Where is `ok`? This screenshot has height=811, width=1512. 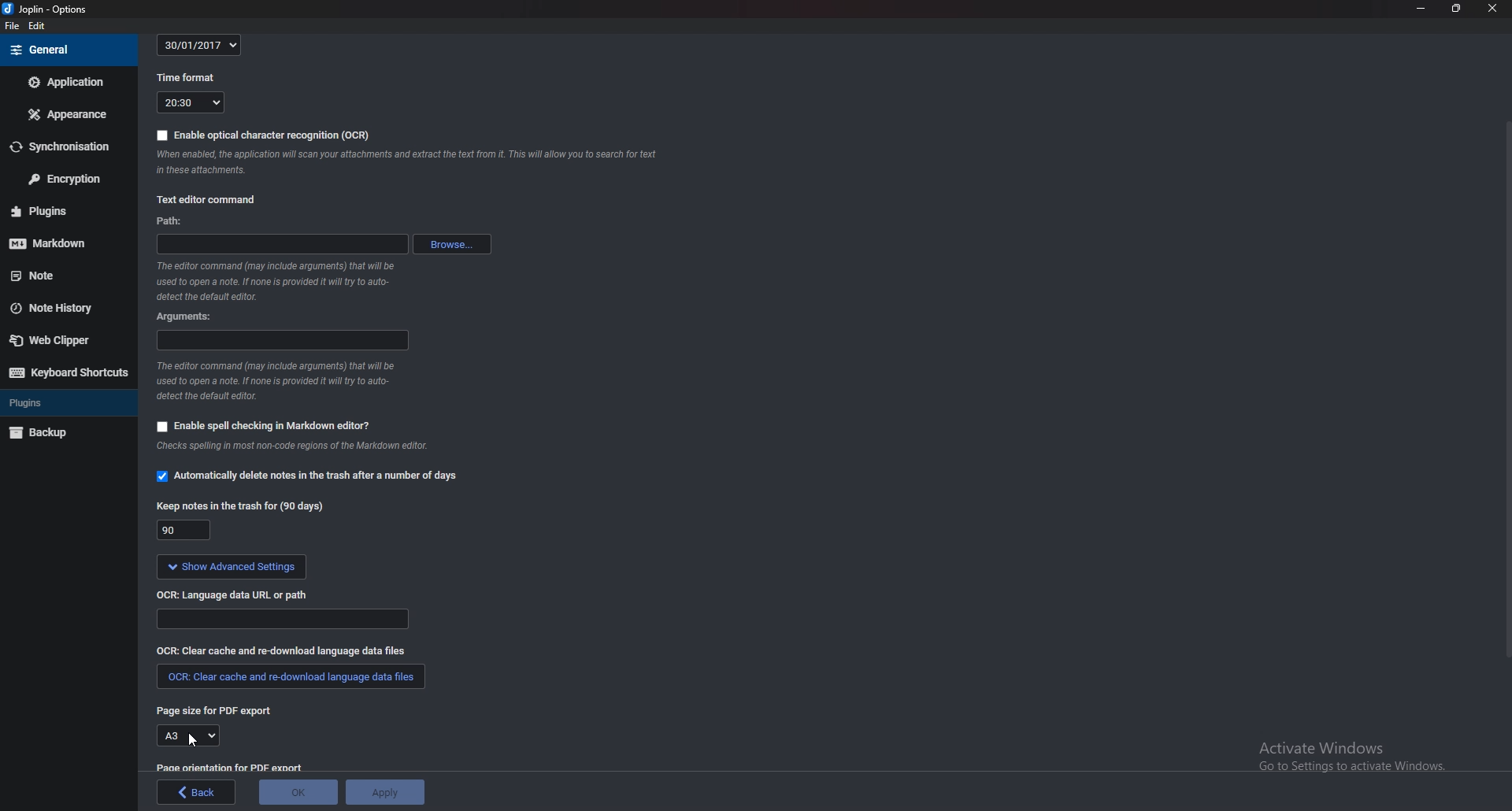
ok is located at coordinates (298, 792).